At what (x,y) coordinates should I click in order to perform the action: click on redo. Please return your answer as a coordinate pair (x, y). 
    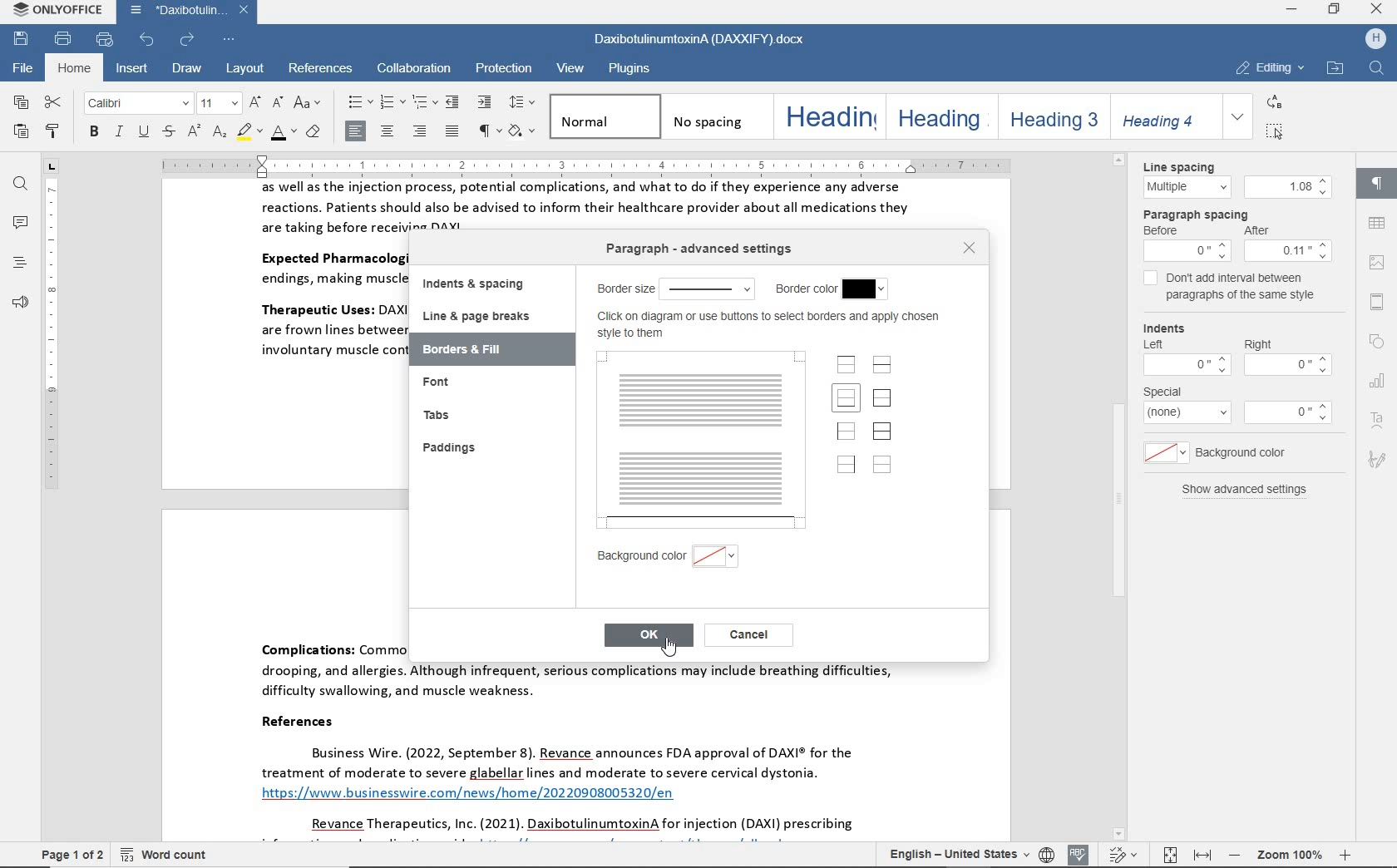
    Looking at the image, I should click on (186, 40).